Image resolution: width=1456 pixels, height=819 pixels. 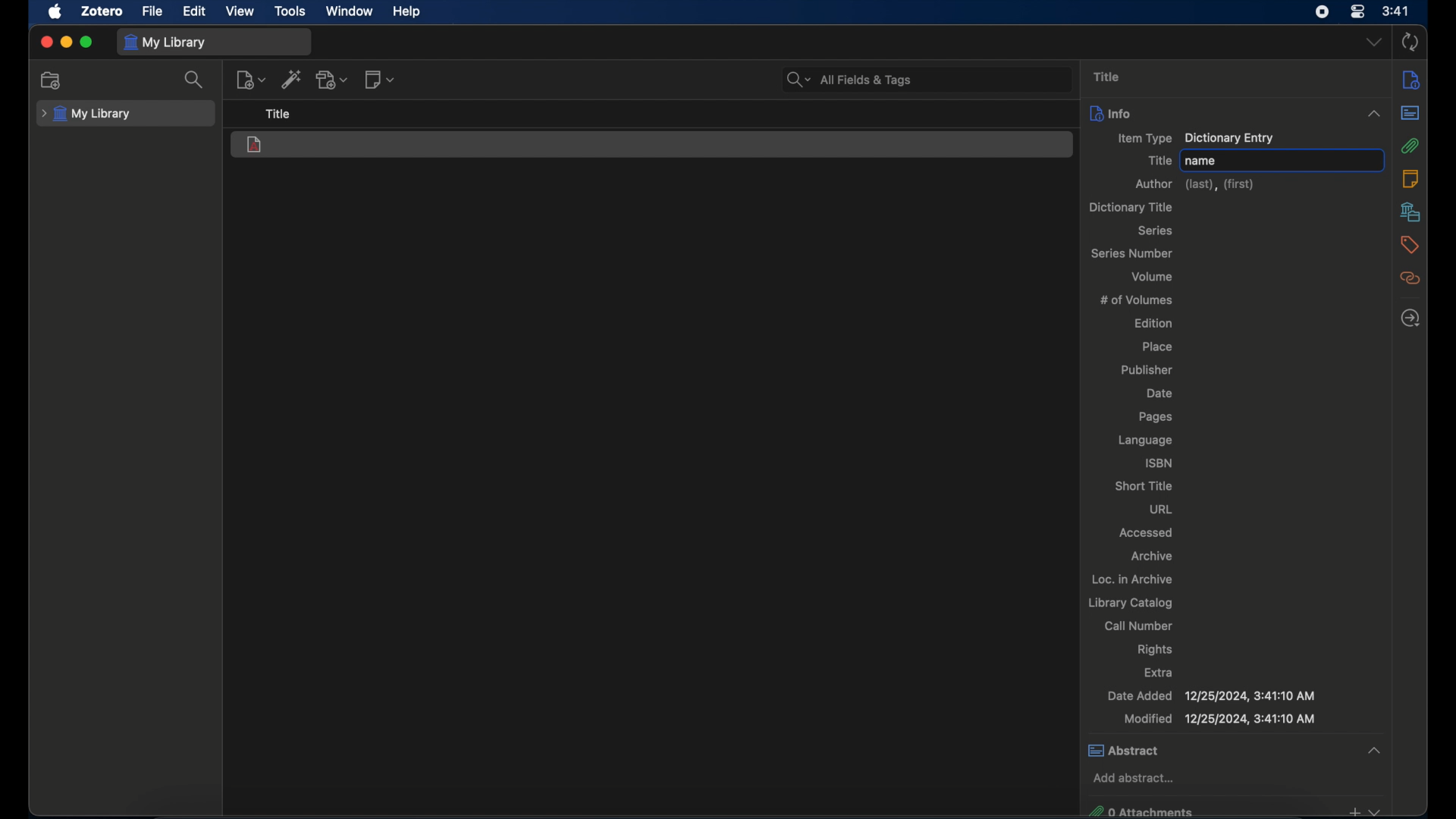 What do you see at coordinates (279, 115) in the screenshot?
I see `title` at bounding box center [279, 115].